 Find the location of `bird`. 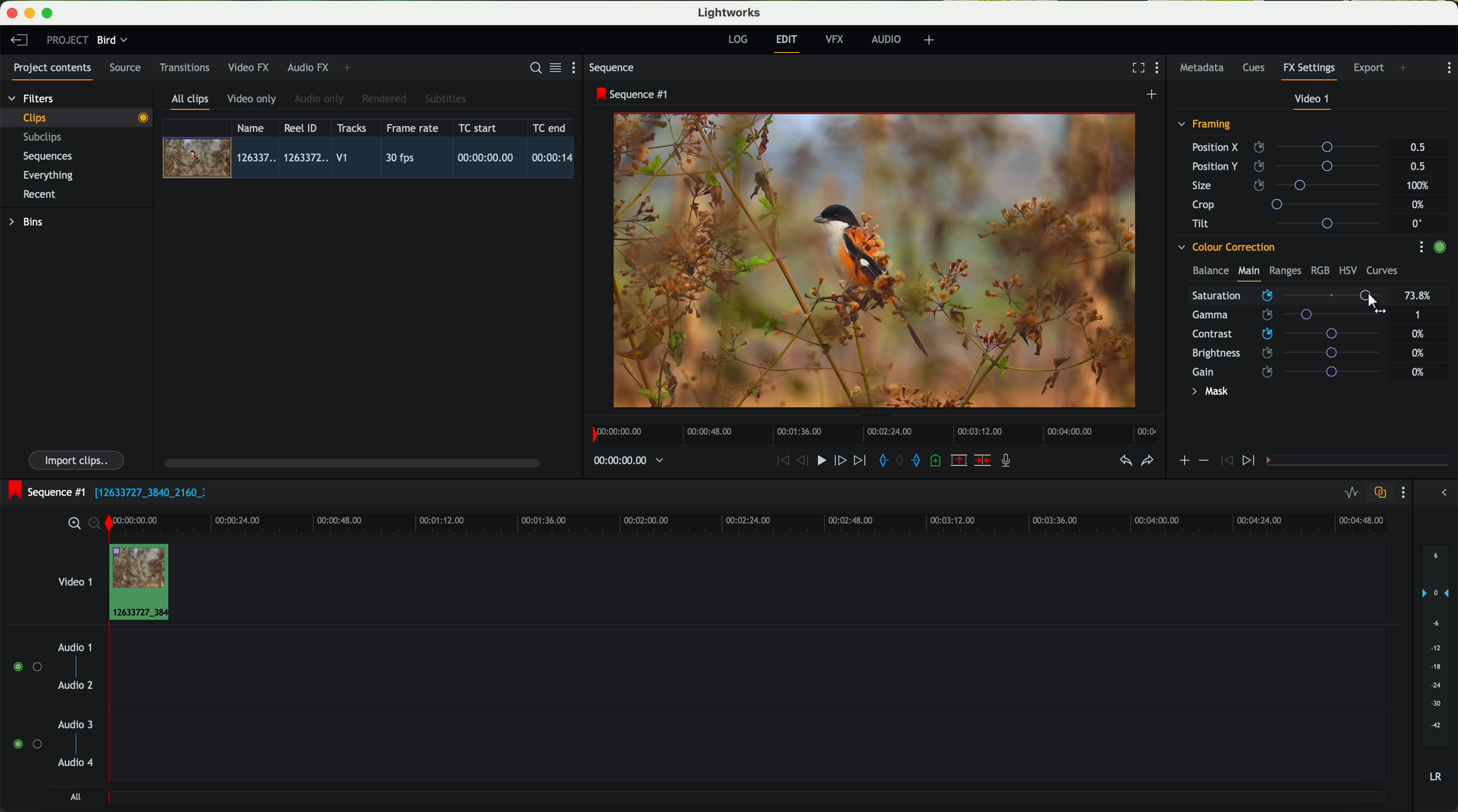

bird is located at coordinates (112, 41).